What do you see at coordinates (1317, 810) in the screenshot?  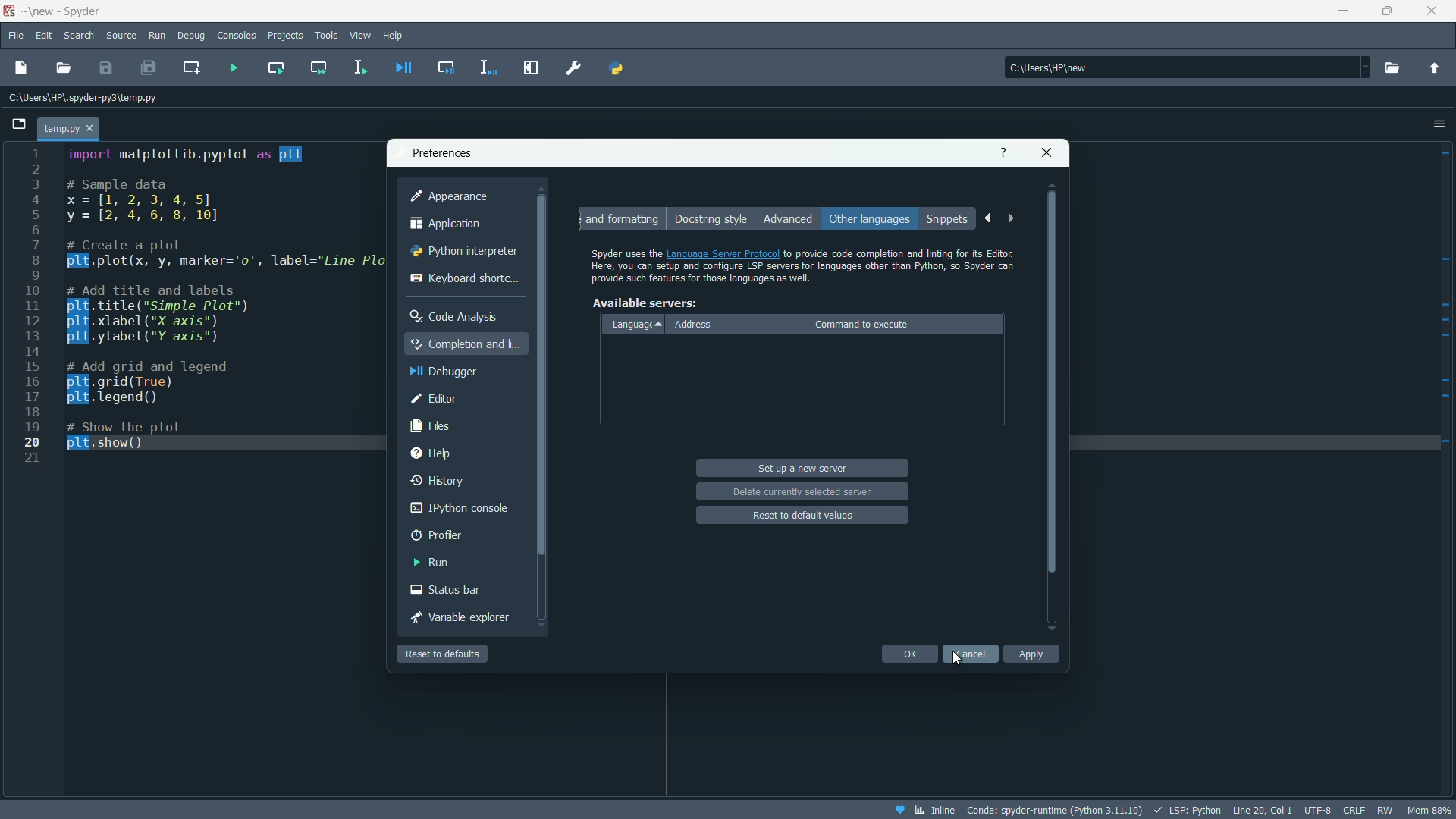 I see `file encoding` at bounding box center [1317, 810].